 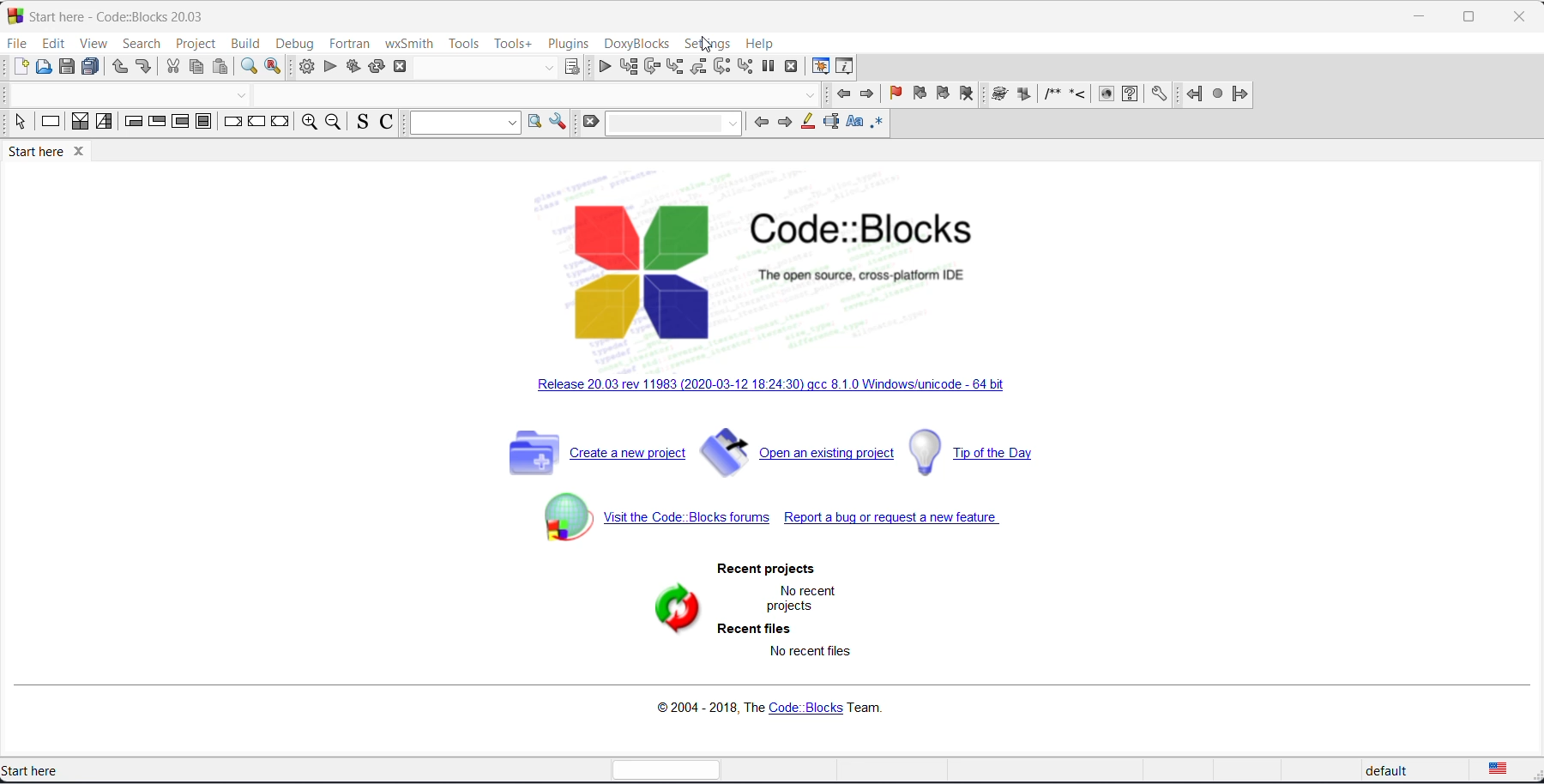 I want to click on undo, so click(x=120, y=68).